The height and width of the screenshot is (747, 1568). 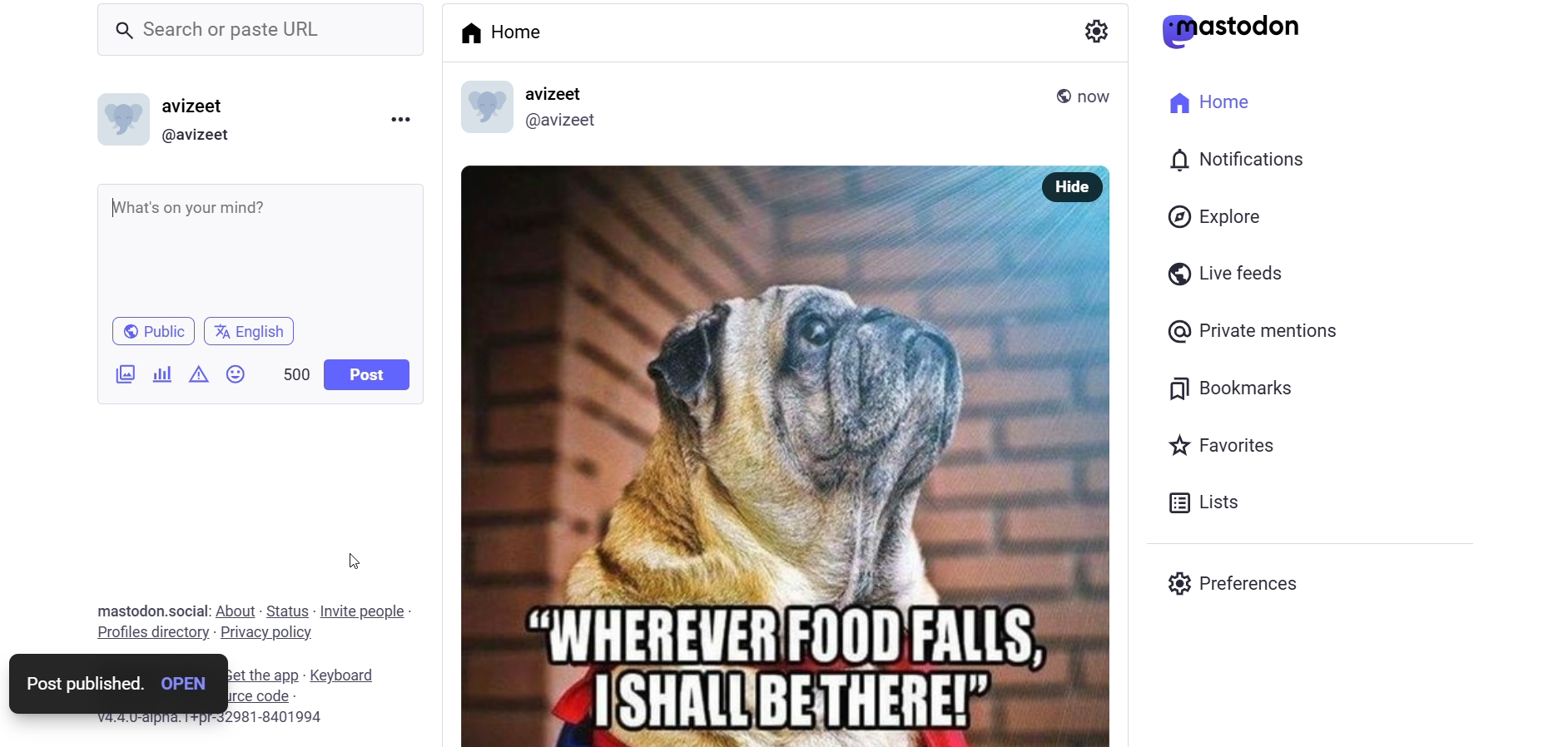 I want to click on about, so click(x=234, y=611).